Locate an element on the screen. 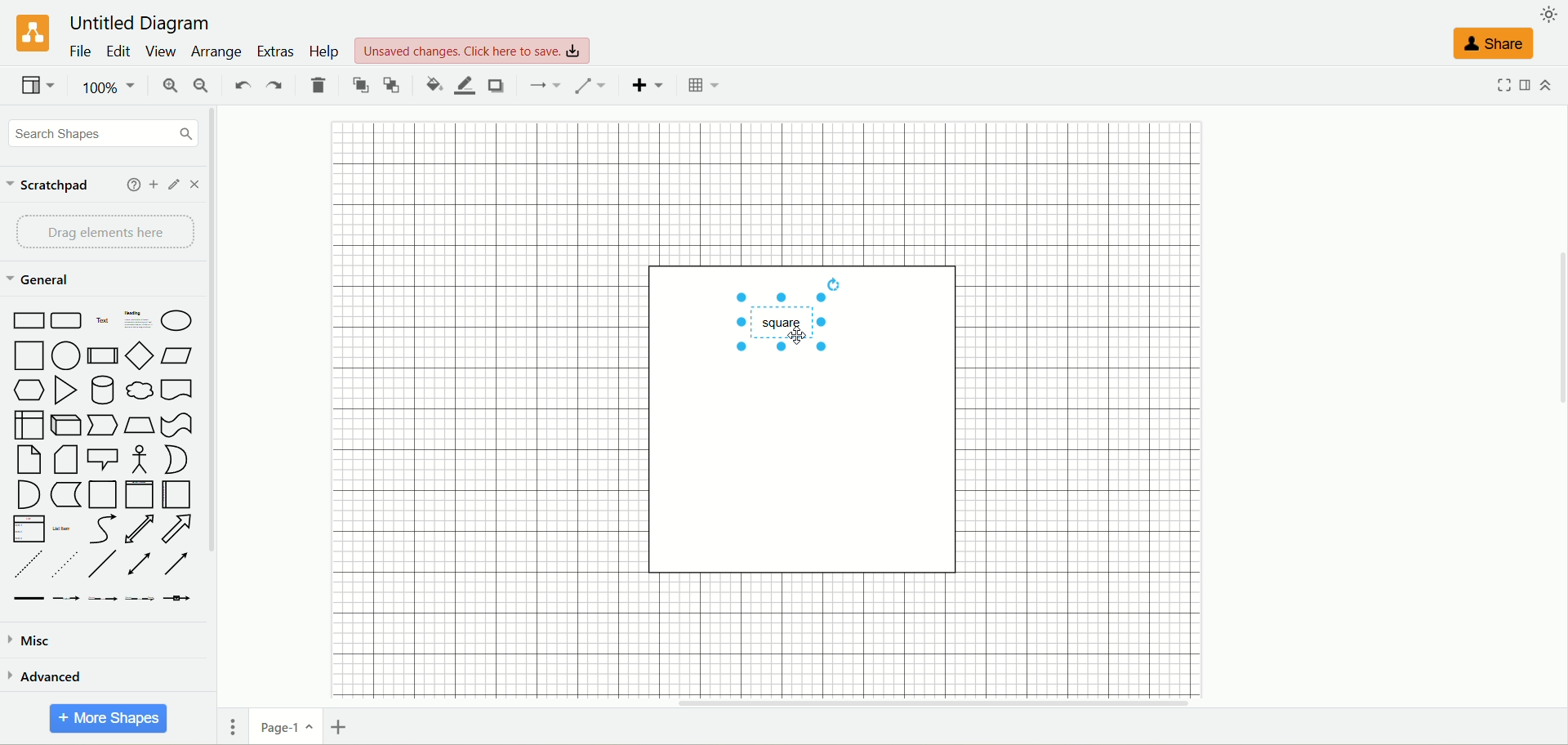  line color is located at coordinates (464, 85).